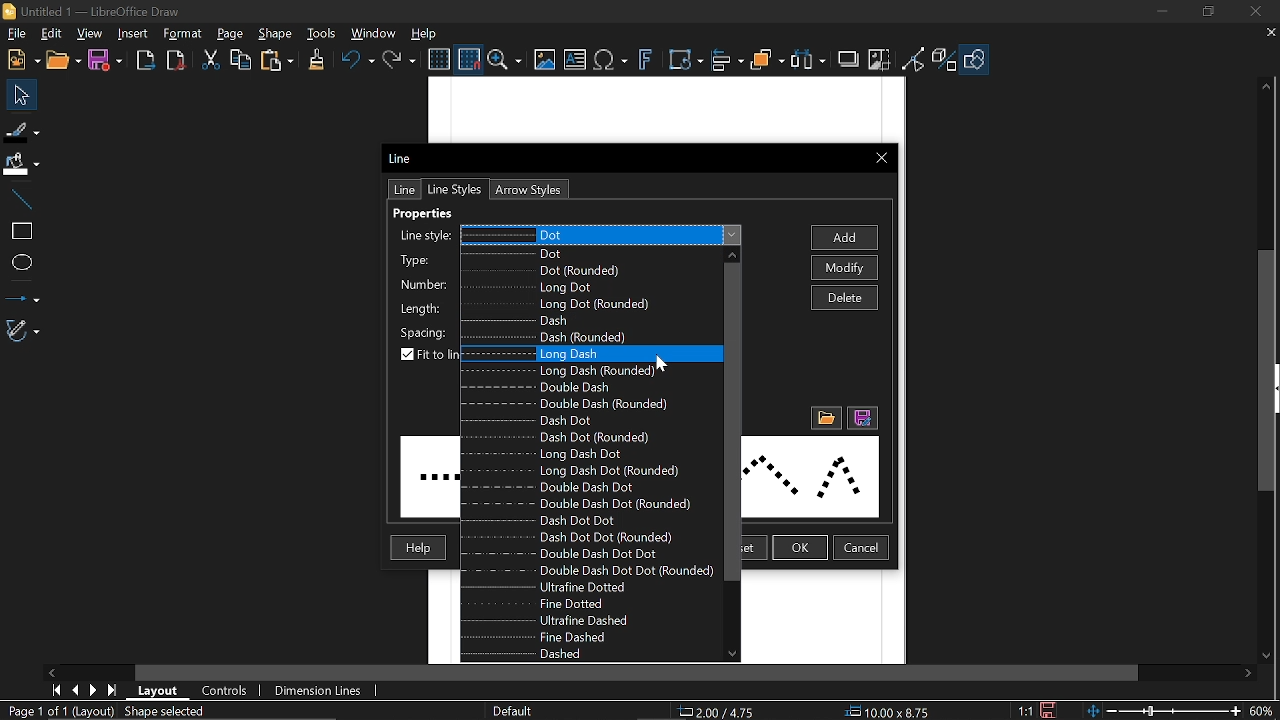  What do you see at coordinates (505, 60) in the screenshot?
I see `Zoom` at bounding box center [505, 60].